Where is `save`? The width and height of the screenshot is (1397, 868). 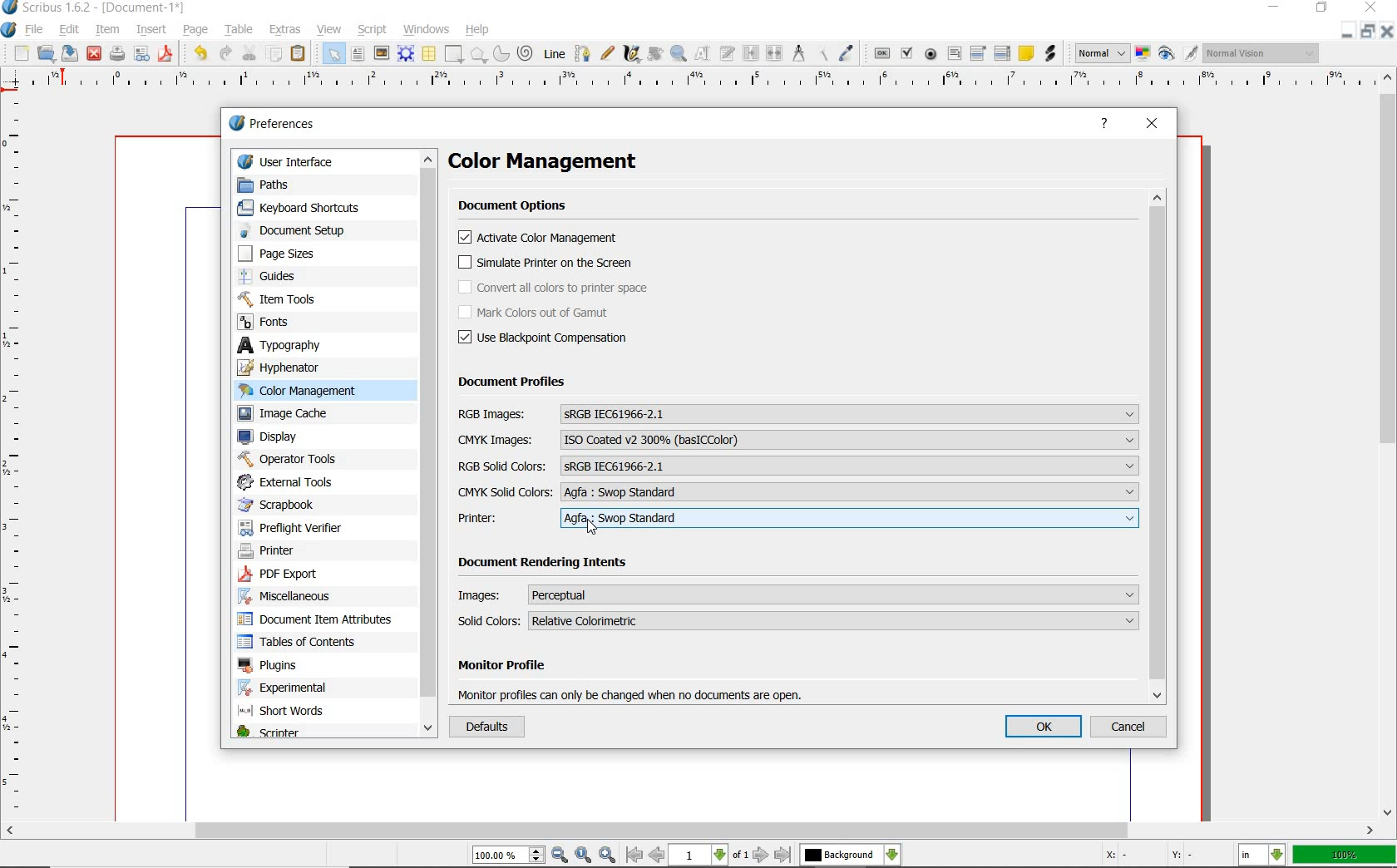
save is located at coordinates (168, 52).